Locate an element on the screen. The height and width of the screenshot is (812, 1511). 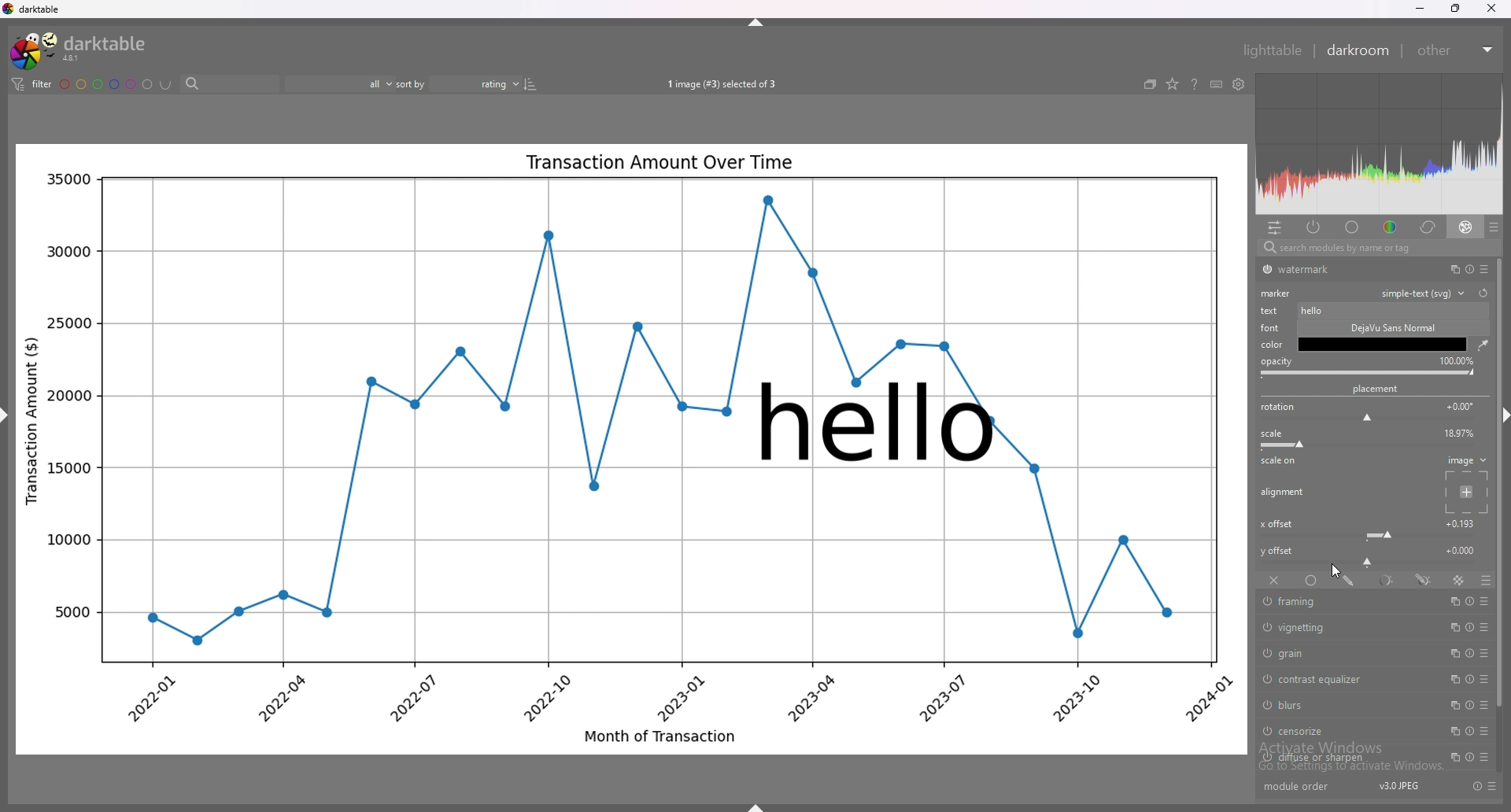
reset is located at coordinates (1469, 628).